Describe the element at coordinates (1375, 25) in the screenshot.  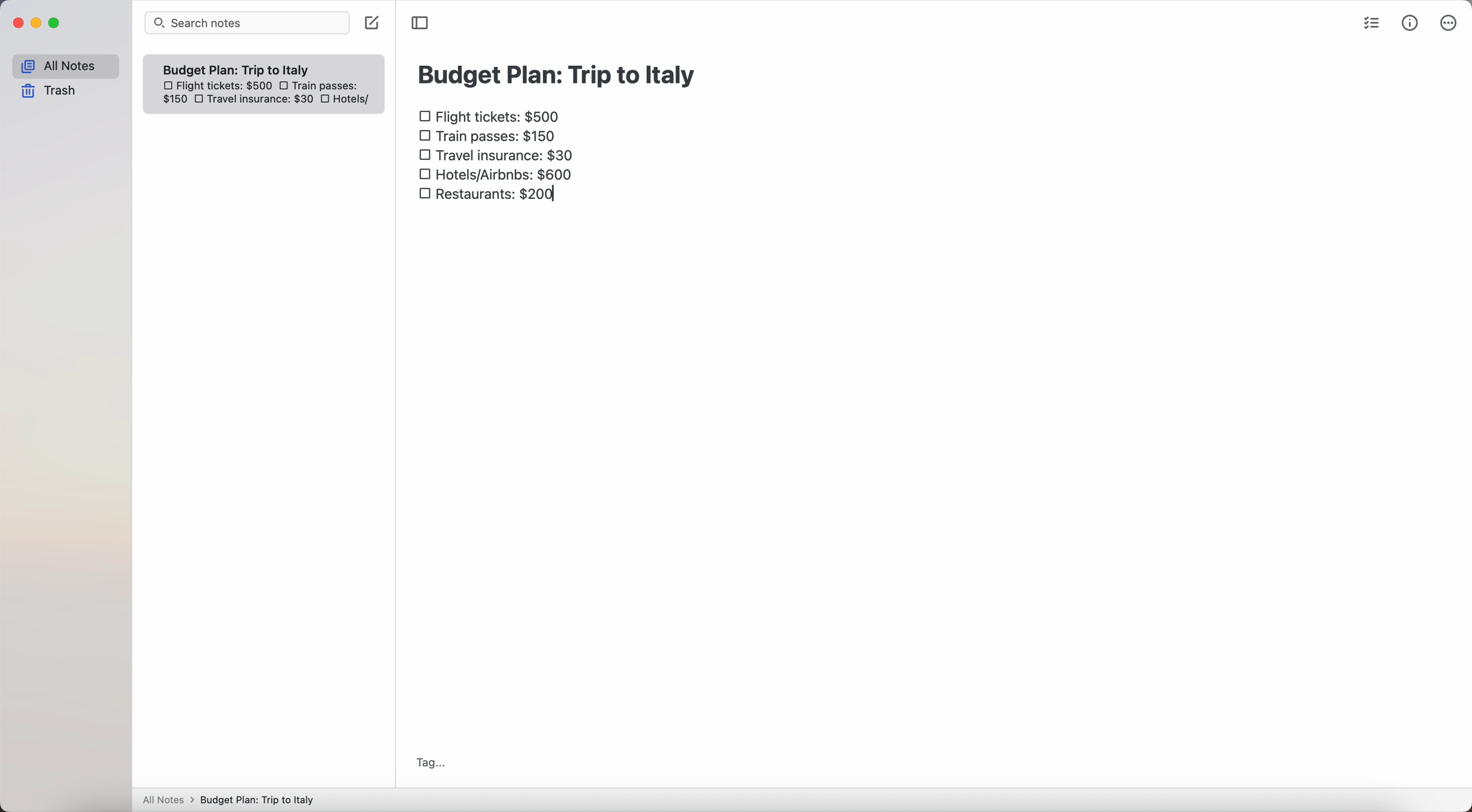
I see `check list` at that location.